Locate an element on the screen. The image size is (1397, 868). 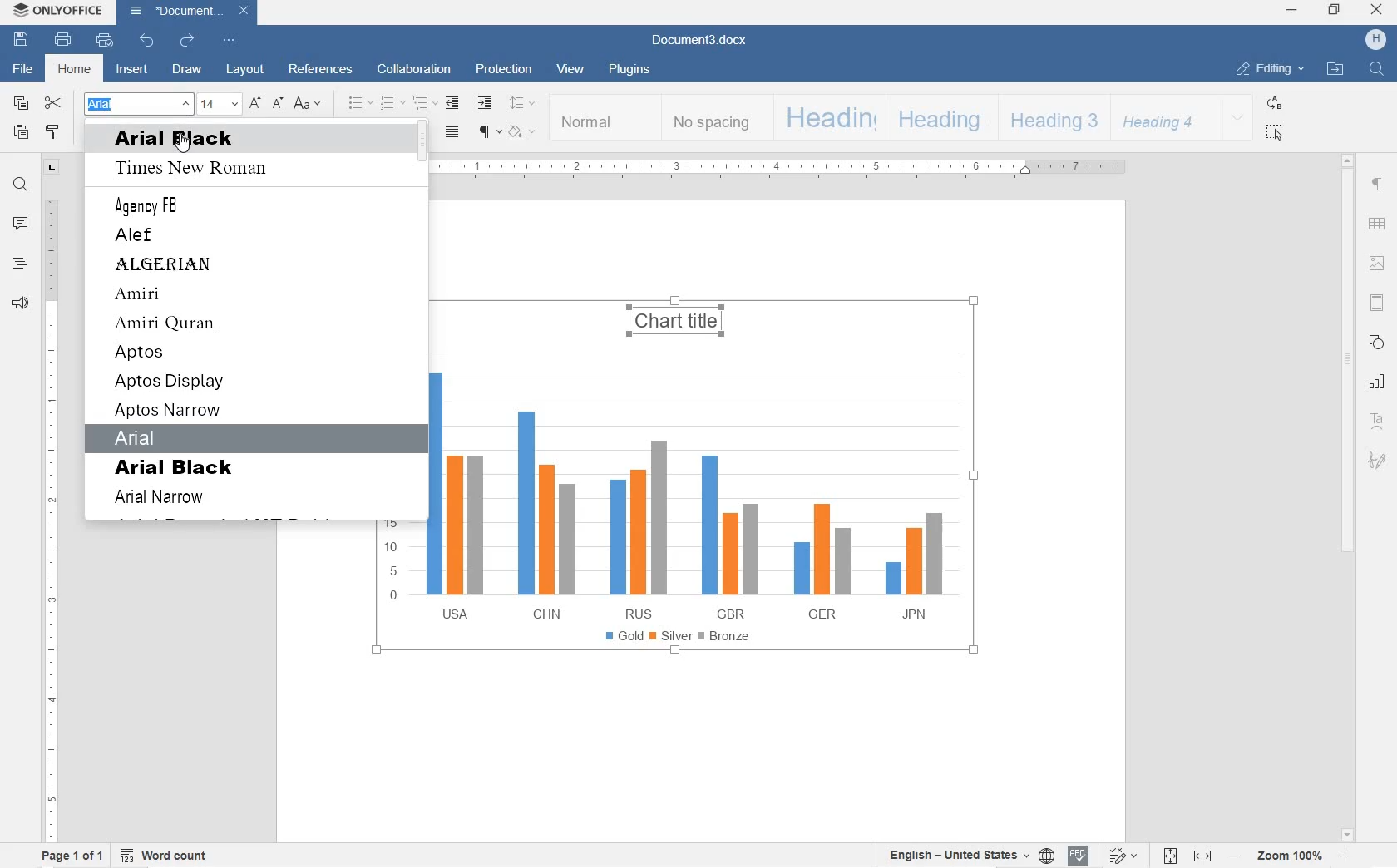
PARAGRAPH LINE SPACING is located at coordinates (521, 104).